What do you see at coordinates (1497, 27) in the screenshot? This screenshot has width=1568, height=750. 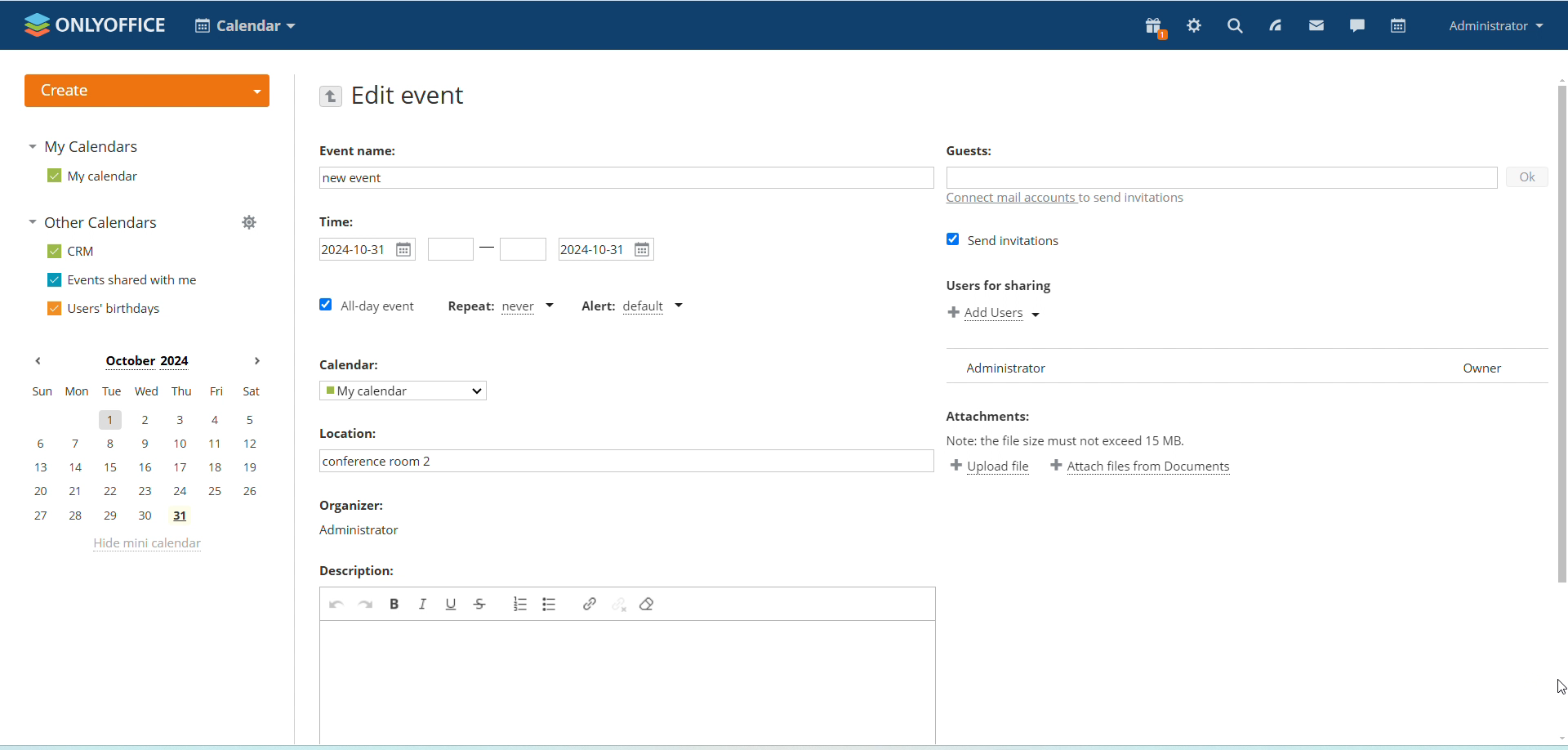 I see `administrator` at bounding box center [1497, 27].